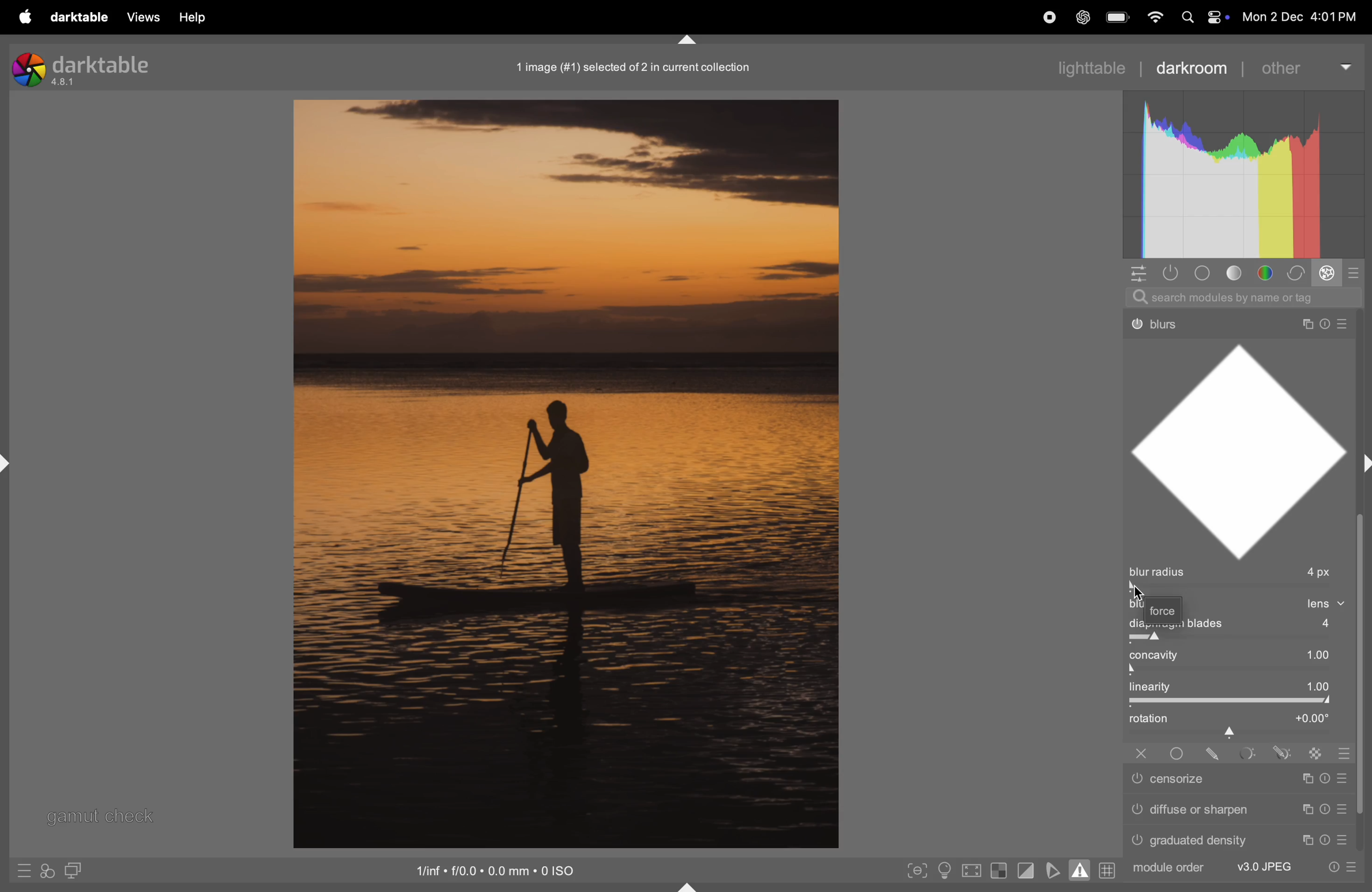  Describe the element at coordinates (1213, 753) in the screenshot. I see `` at that location.